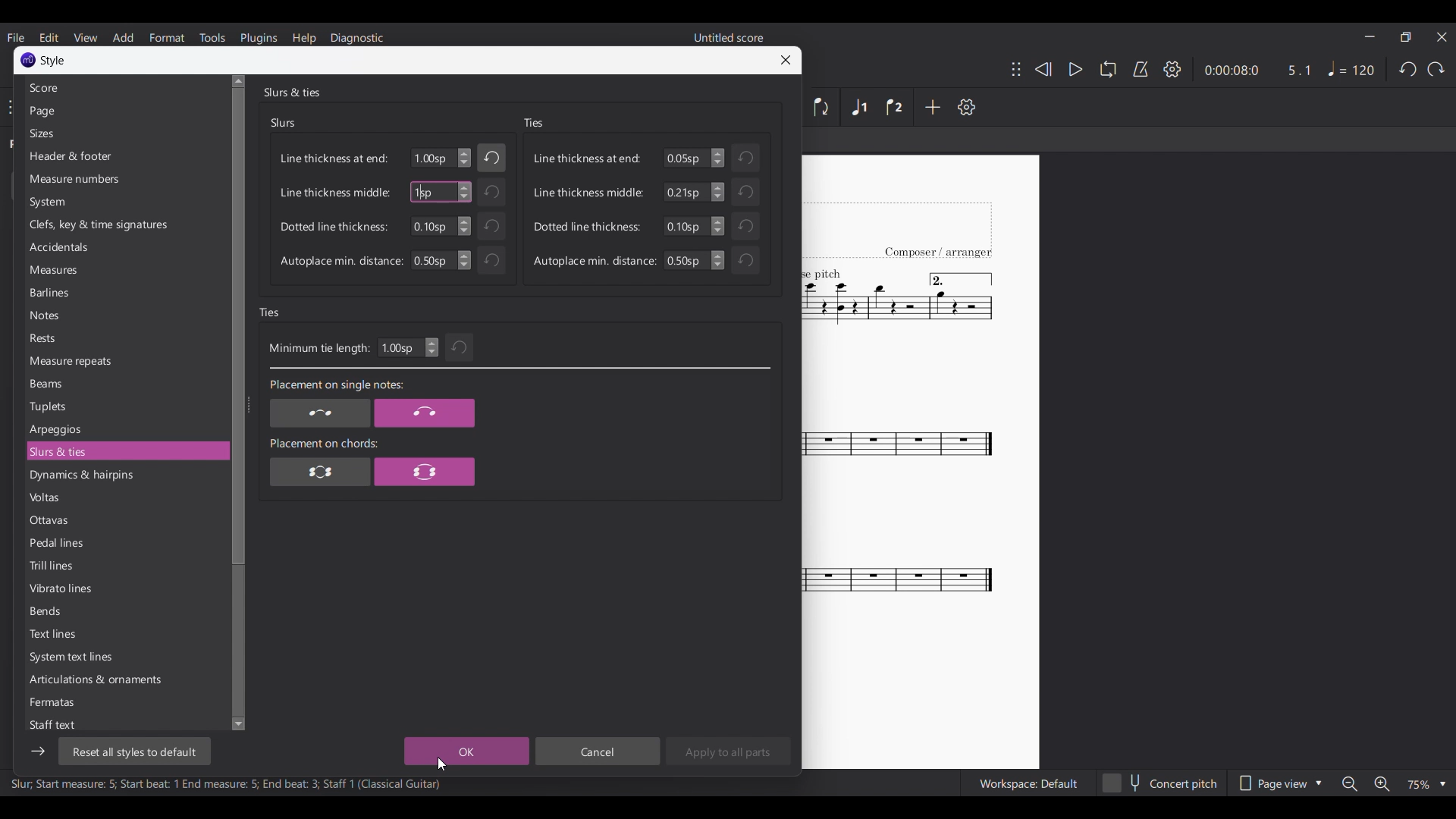 This screenshot has width=1456, height=819. What do you see at coordinates (425, 413) in the screenshot?
I see `Placement on single note option 2` at bounding box center [425, 413].